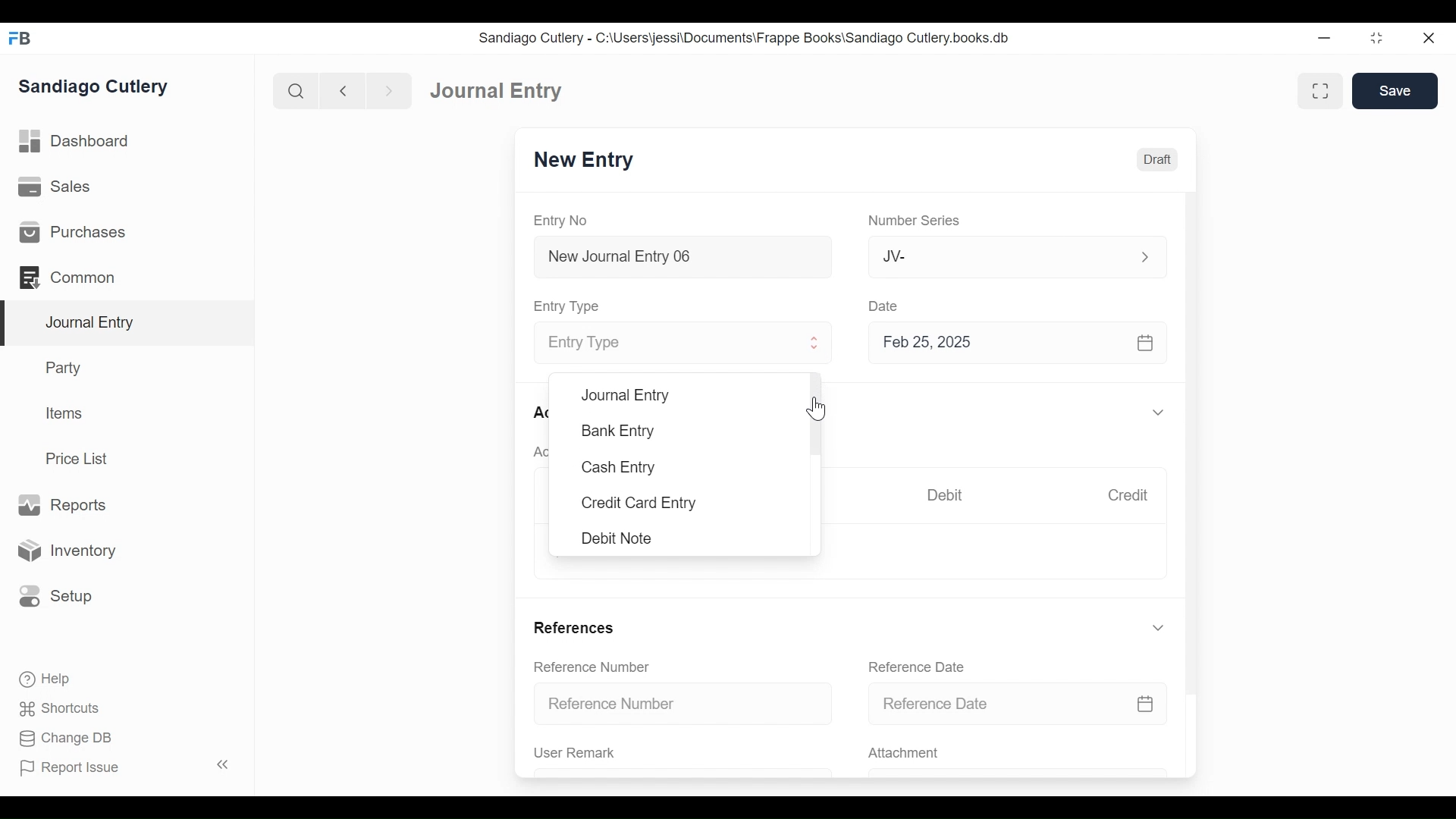  What do you see at coordinates (128, 324) in the screenshot?
I see `Journal Entry` at bounding box center [128, 324].